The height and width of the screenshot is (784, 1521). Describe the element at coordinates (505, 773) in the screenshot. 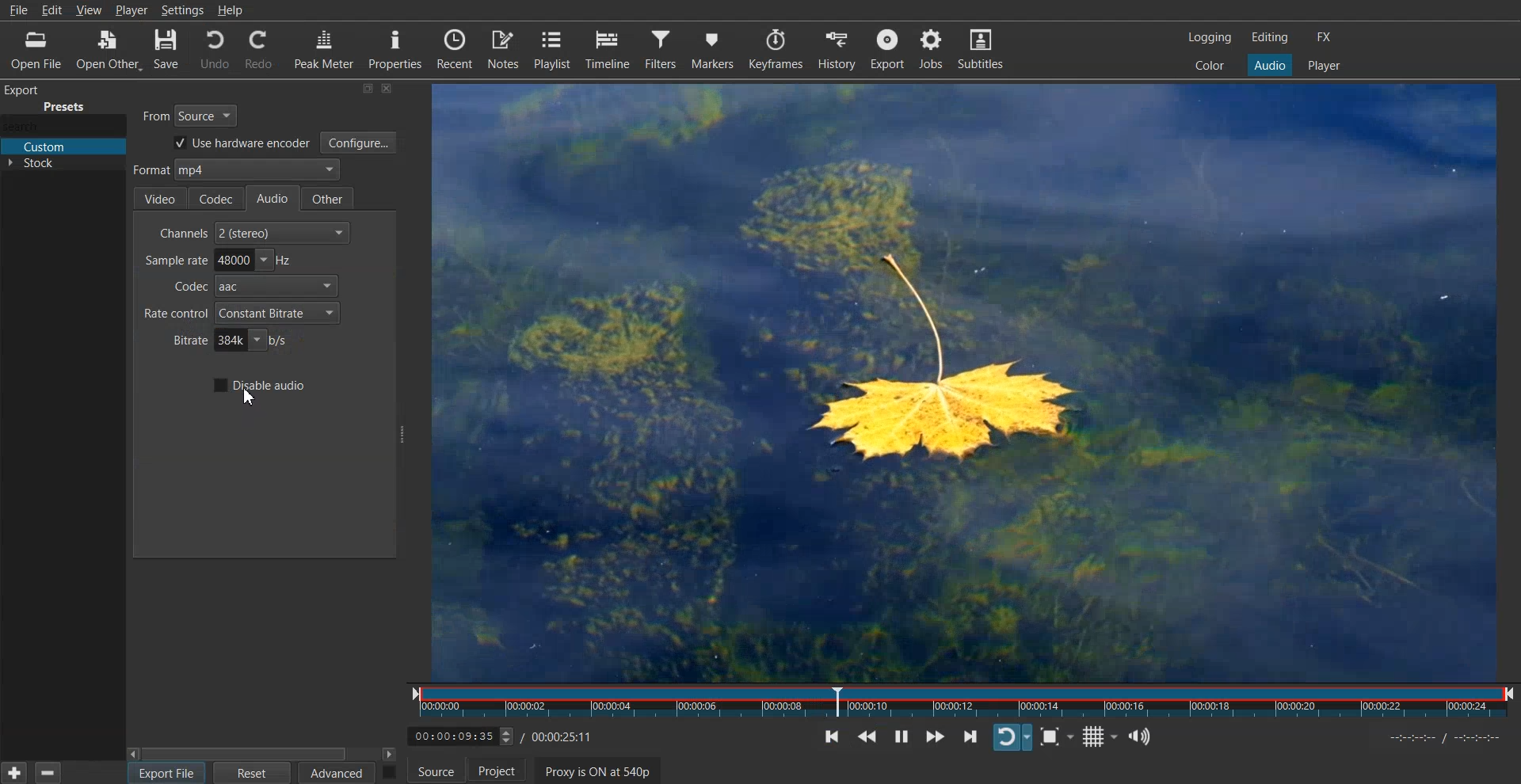

I see `Project` at that location.